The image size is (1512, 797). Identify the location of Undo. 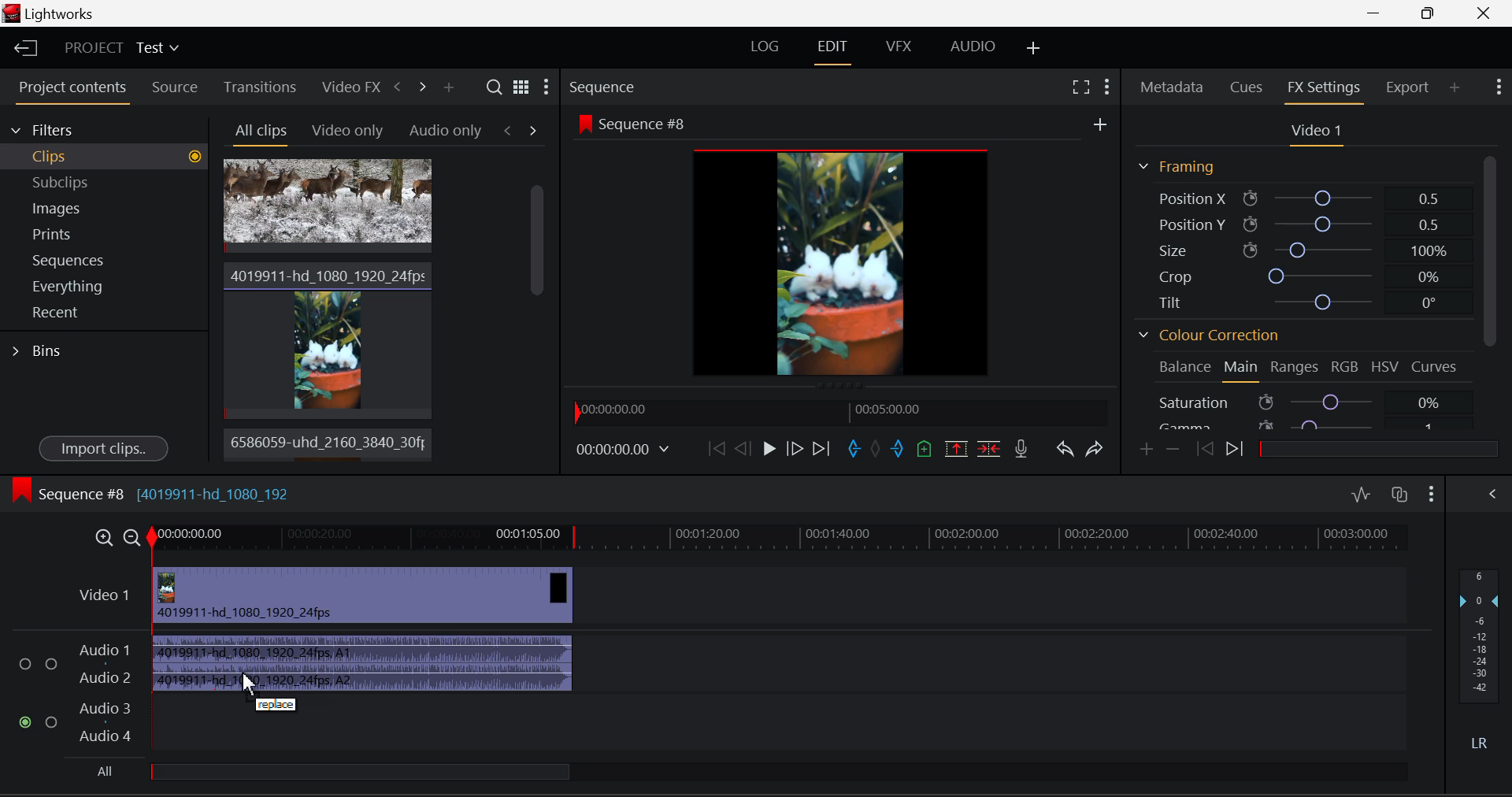
(1065, 449).